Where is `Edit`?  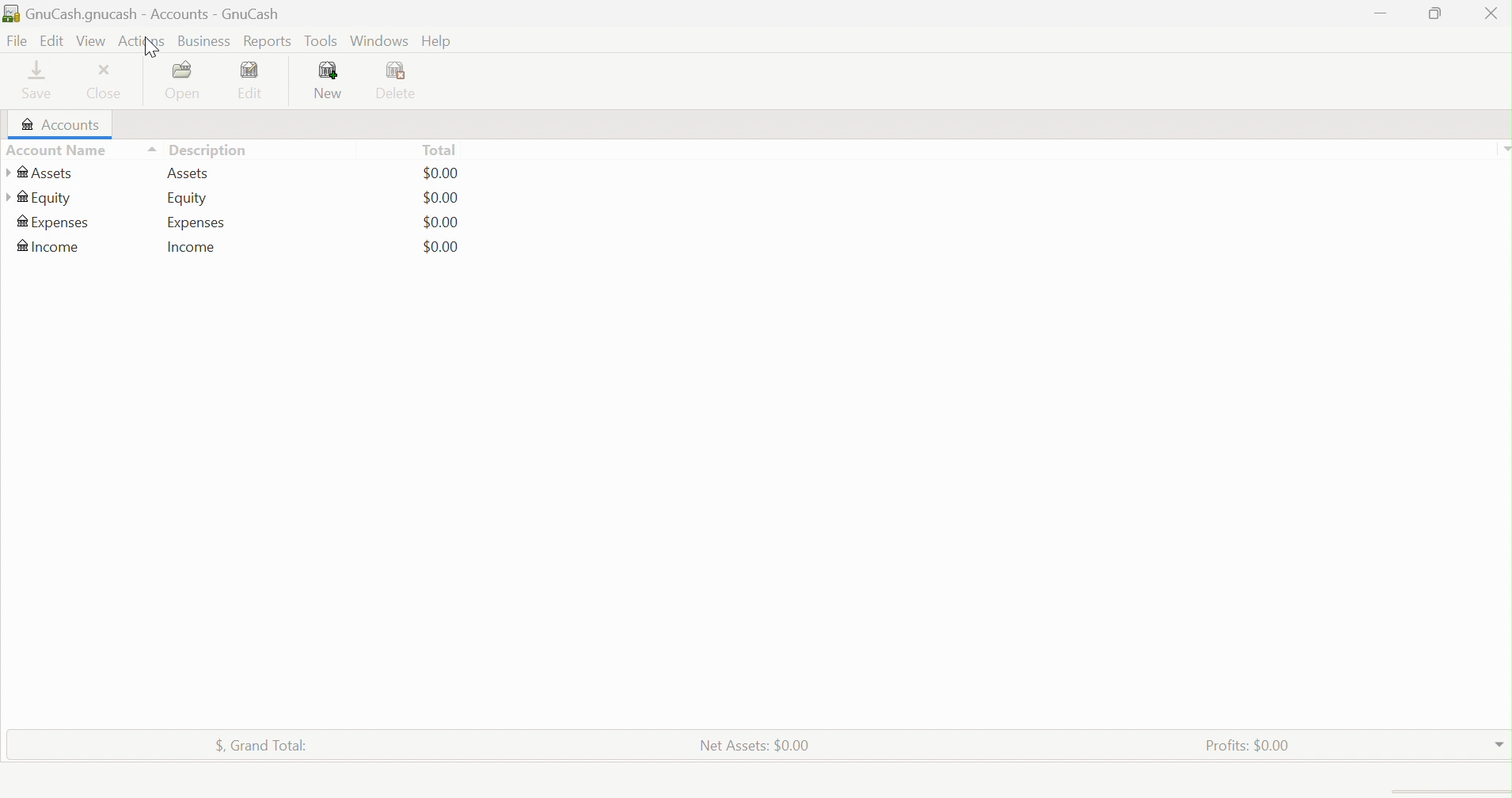
Edit is located at coordinates (50, 40).